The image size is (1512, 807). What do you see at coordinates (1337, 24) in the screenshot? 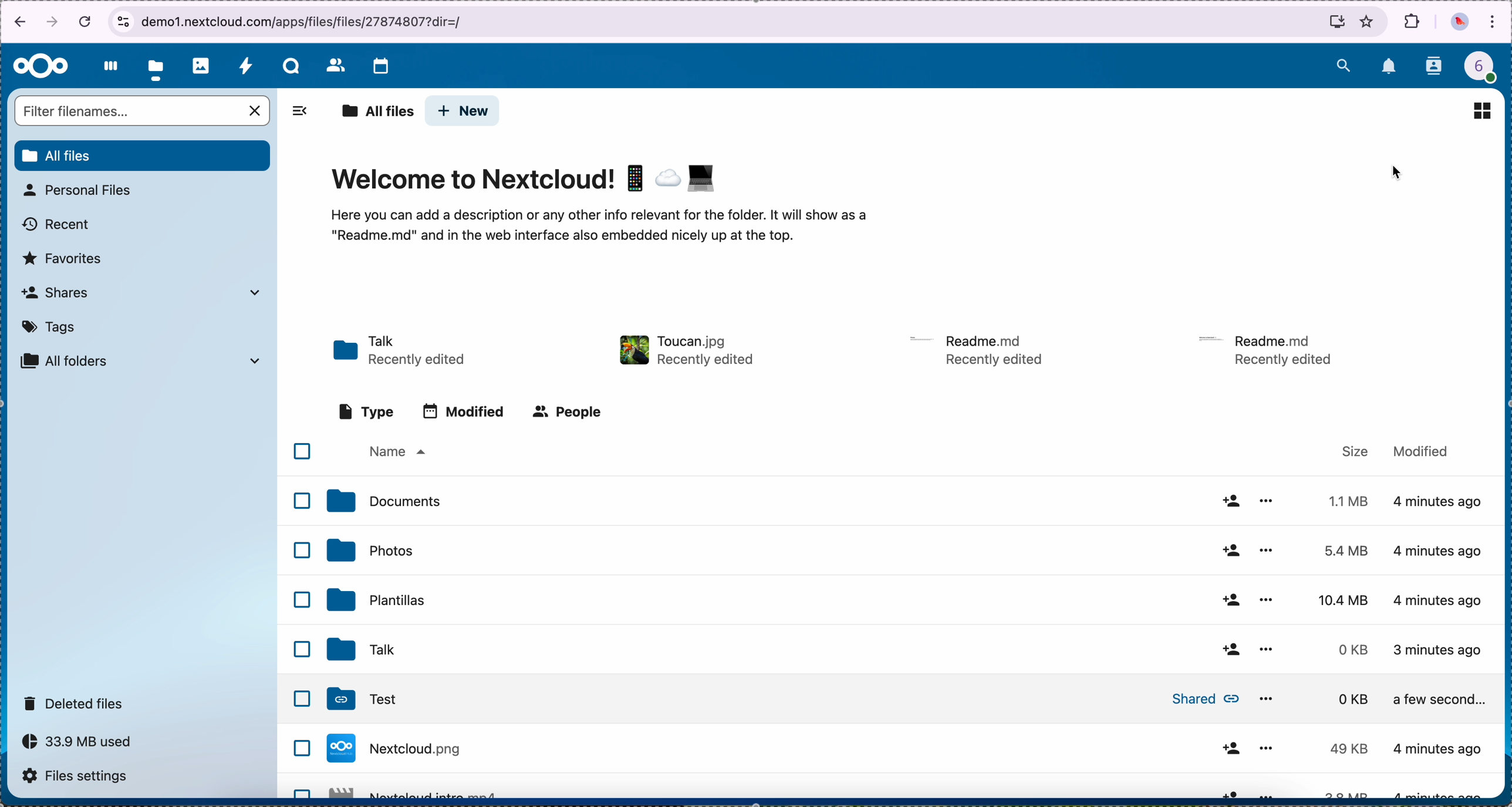
I see `install Nextcloud` at bounding box center [1337, 24].